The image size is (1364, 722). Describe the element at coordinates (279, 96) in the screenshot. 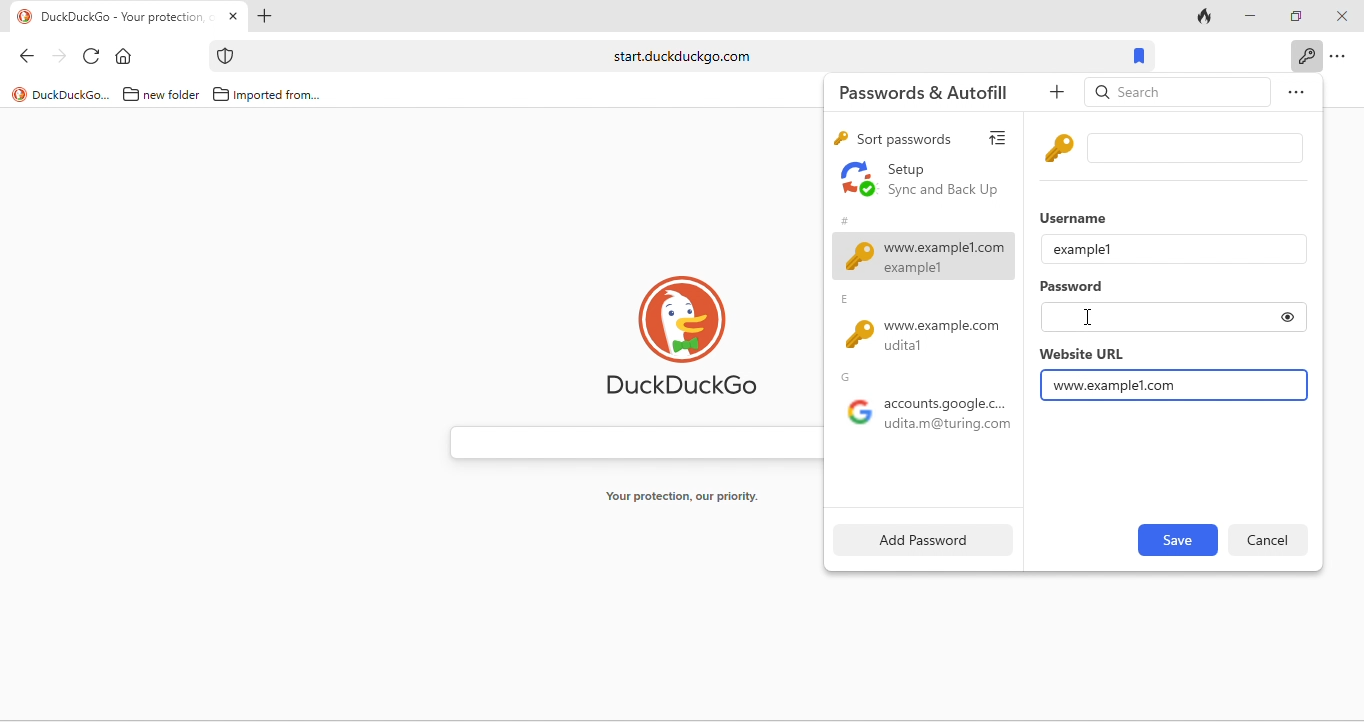

I see `imported from` at that location.